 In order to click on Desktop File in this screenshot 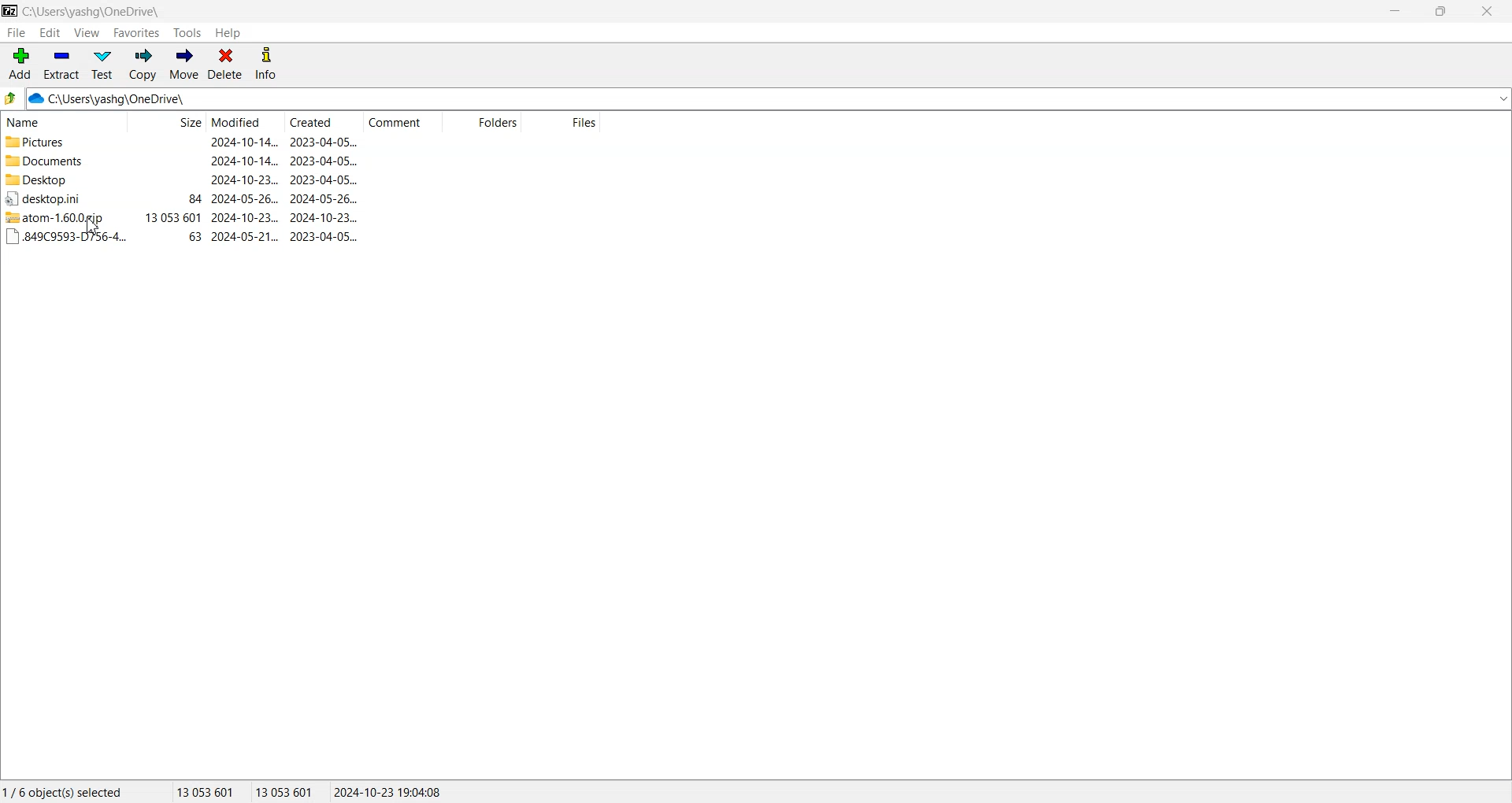, I will do `click(58, 198)`.